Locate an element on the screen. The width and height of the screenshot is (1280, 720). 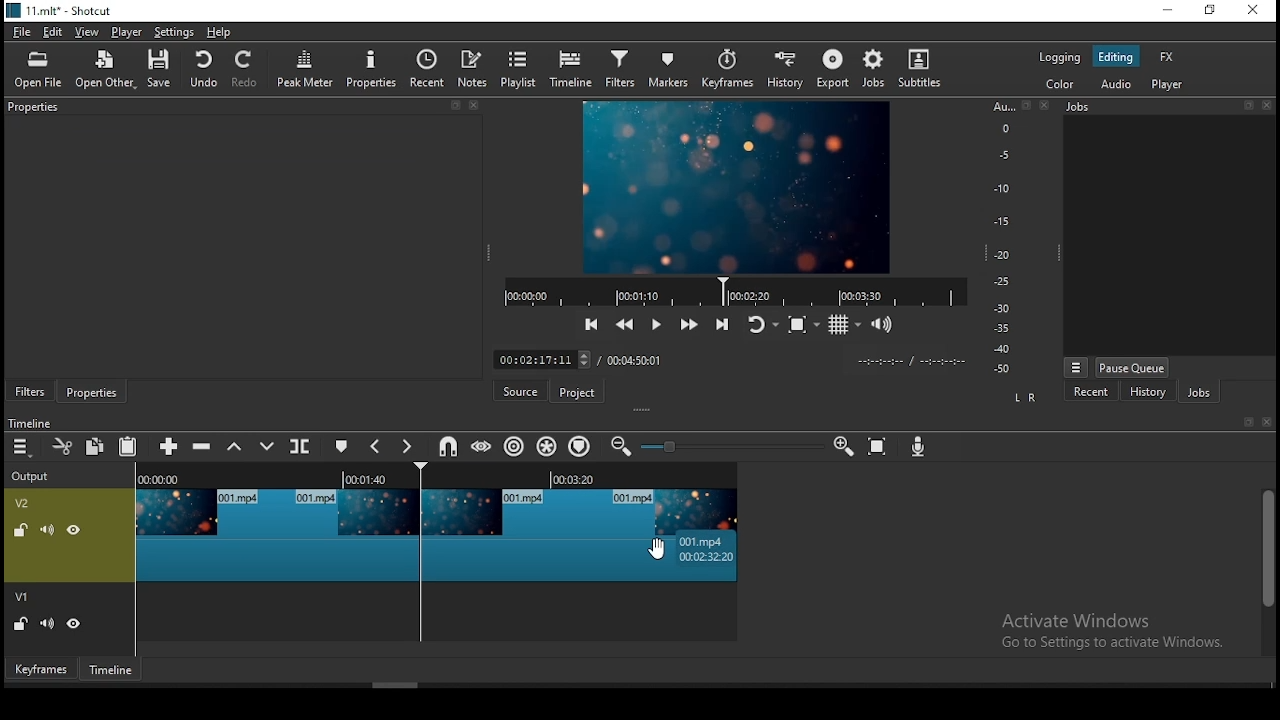
video track V2 (split) is located at coordinates (275, 534).